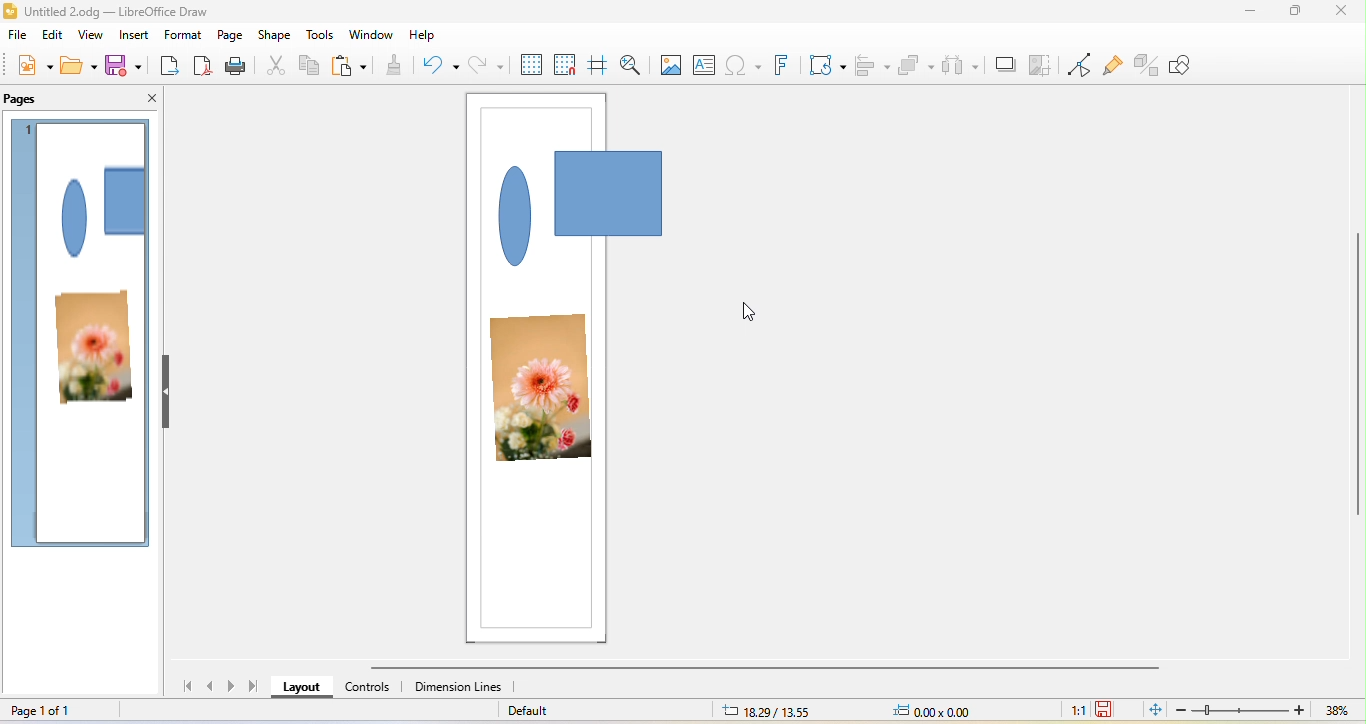 This screenshot has height=724, width=1366. I want to click on window, so click(371, 34).